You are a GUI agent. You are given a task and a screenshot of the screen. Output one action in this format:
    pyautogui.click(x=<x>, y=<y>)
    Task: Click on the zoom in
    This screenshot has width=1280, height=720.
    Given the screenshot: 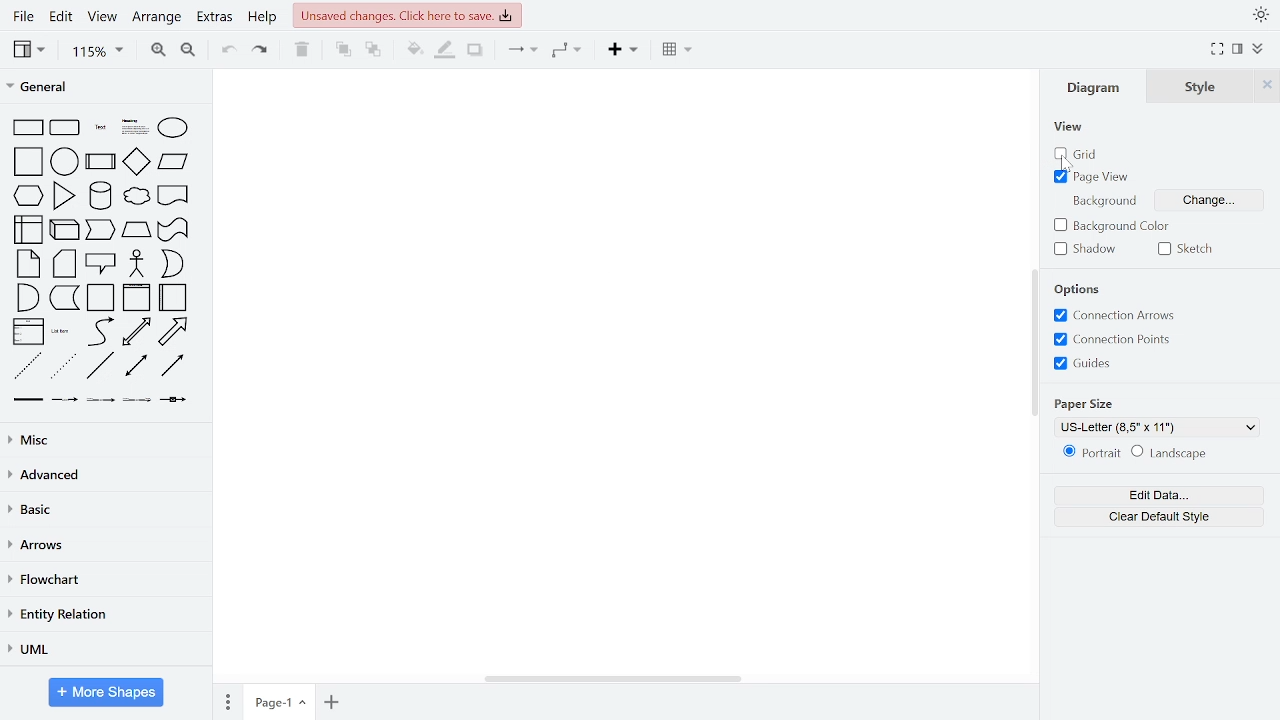 What is the action you would take?
    pyautogui.click(x=156, y=50)
    